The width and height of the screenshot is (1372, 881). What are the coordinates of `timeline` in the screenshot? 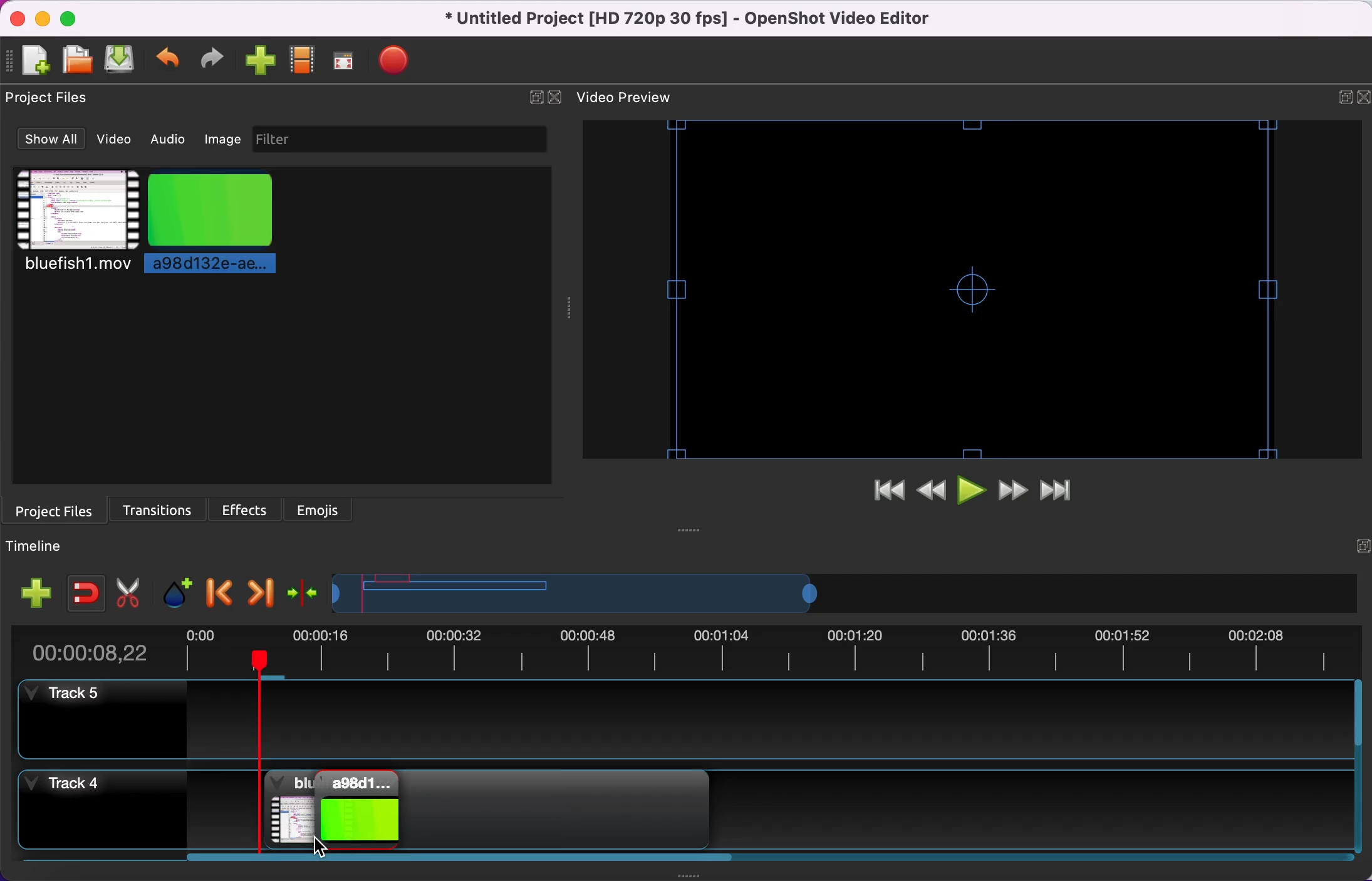 It's located at (721, 592).